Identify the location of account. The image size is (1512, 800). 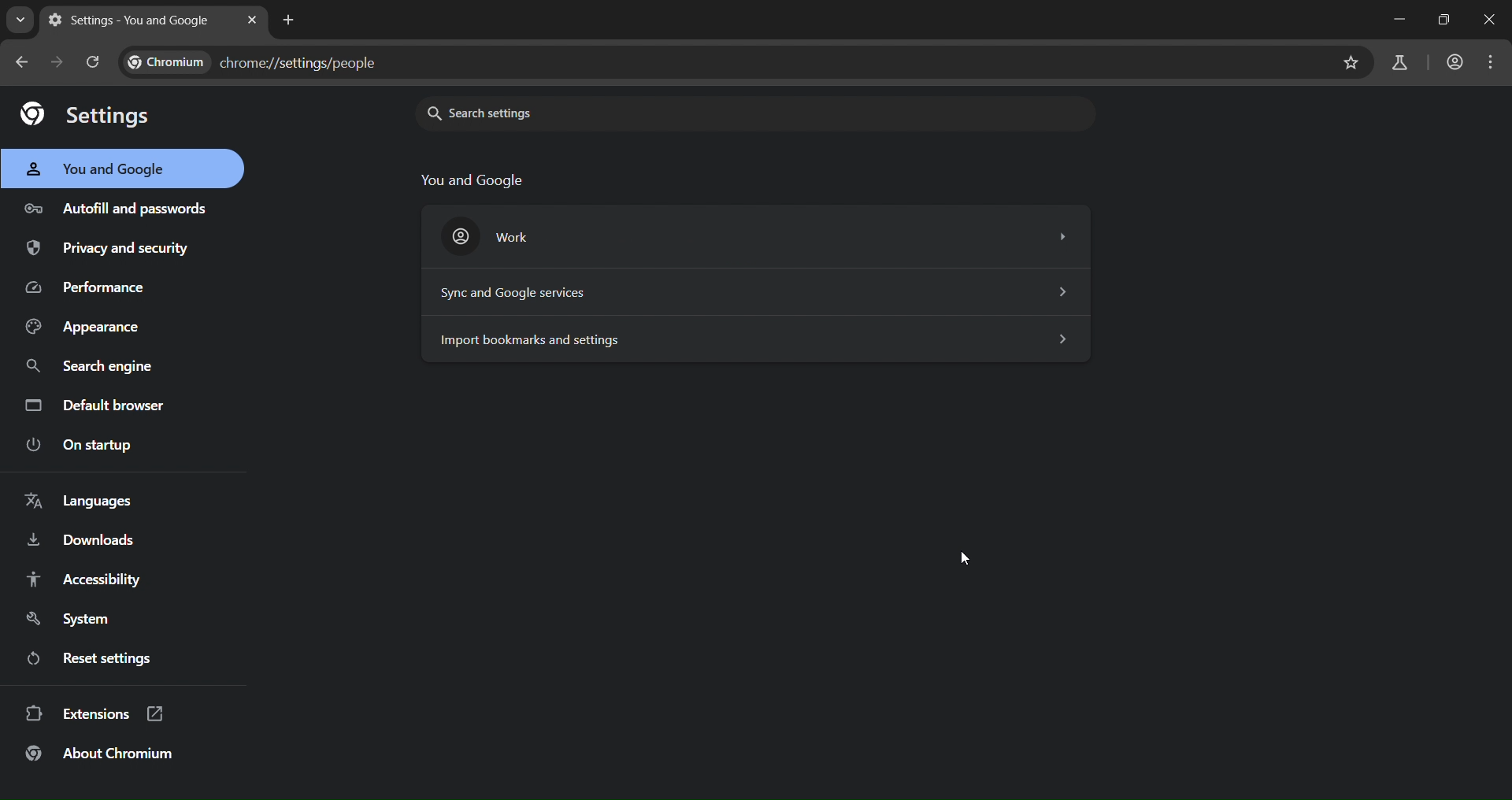
(1451, 61).